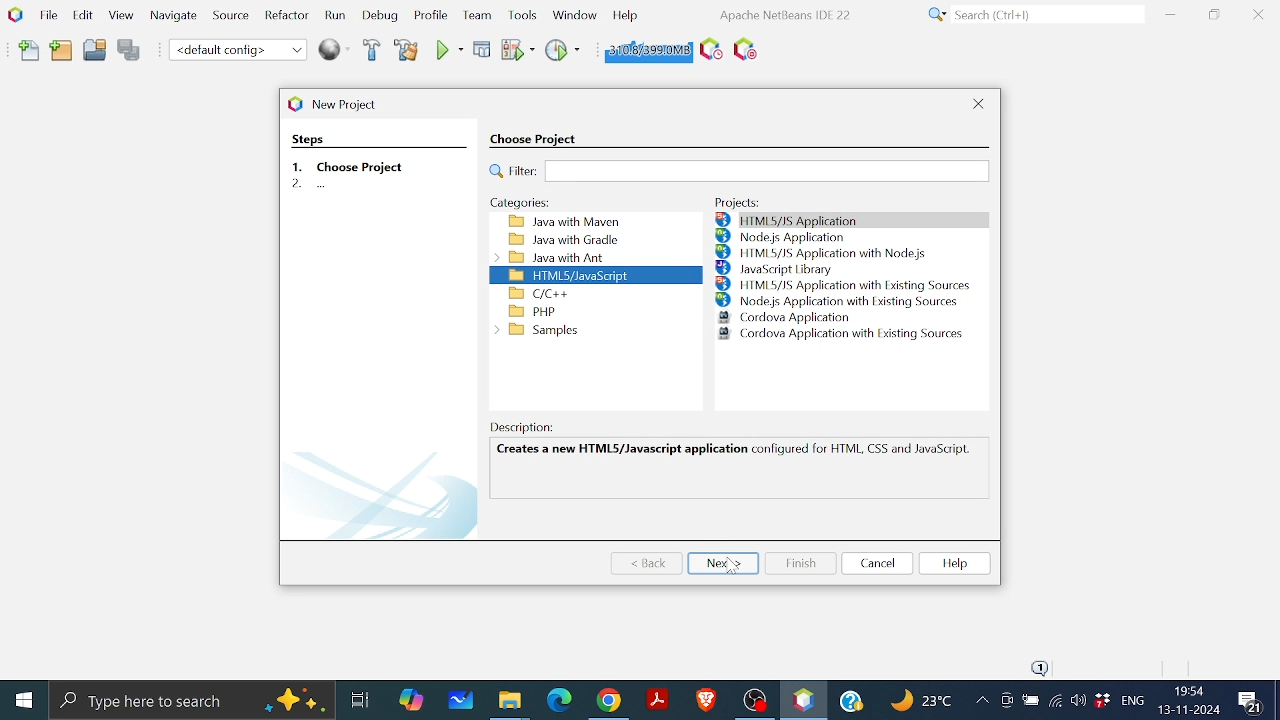  I want to click on Next, so click(723, 564).